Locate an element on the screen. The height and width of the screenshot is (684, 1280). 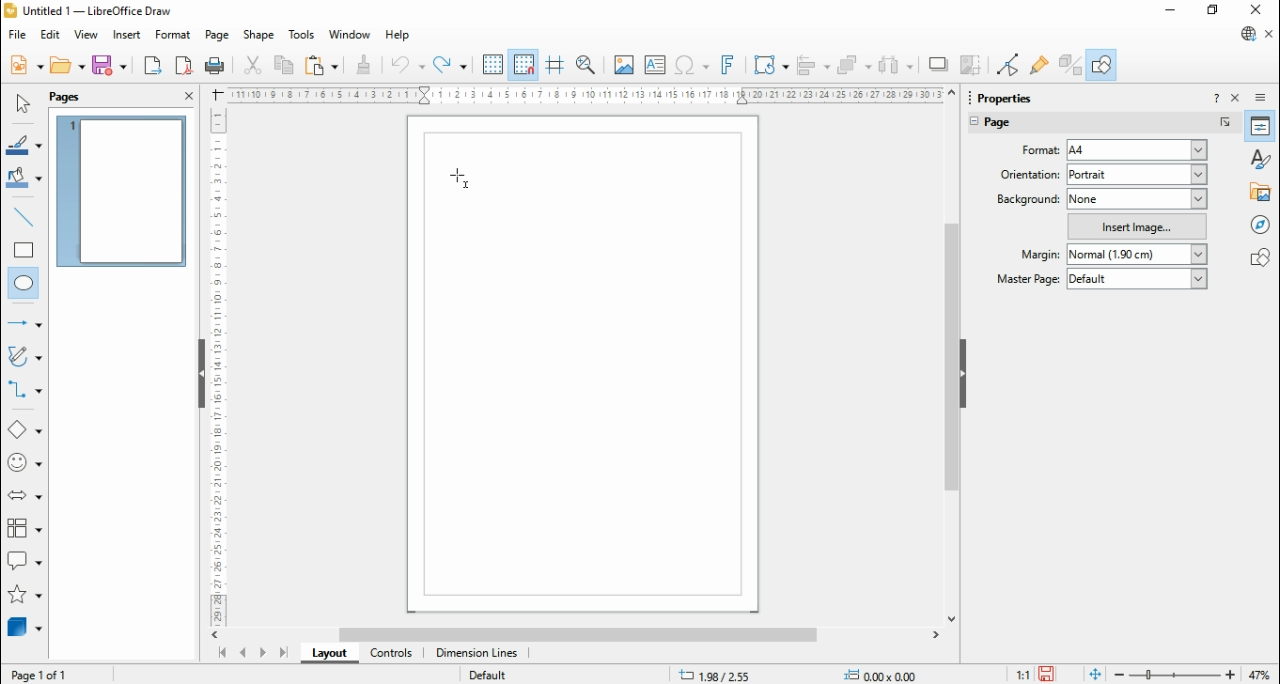
open is located at coordinates (67, 65).